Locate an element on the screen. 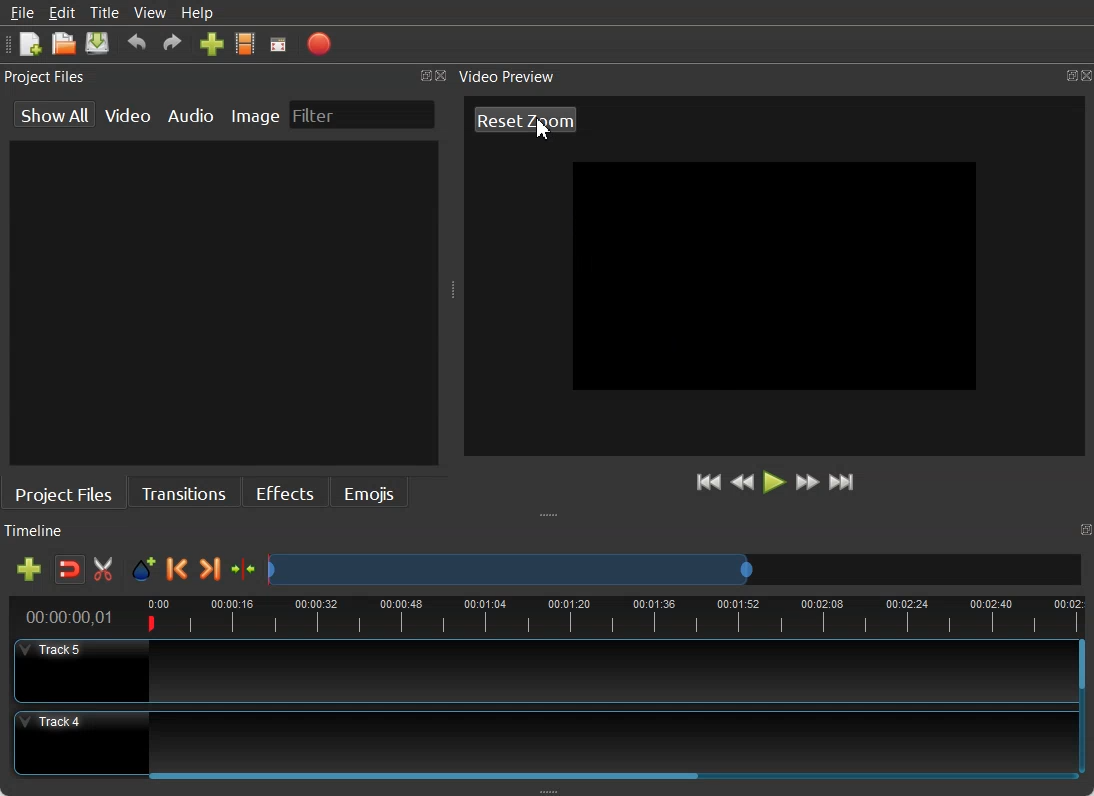  Emojis is located at coordinates (368, 492).